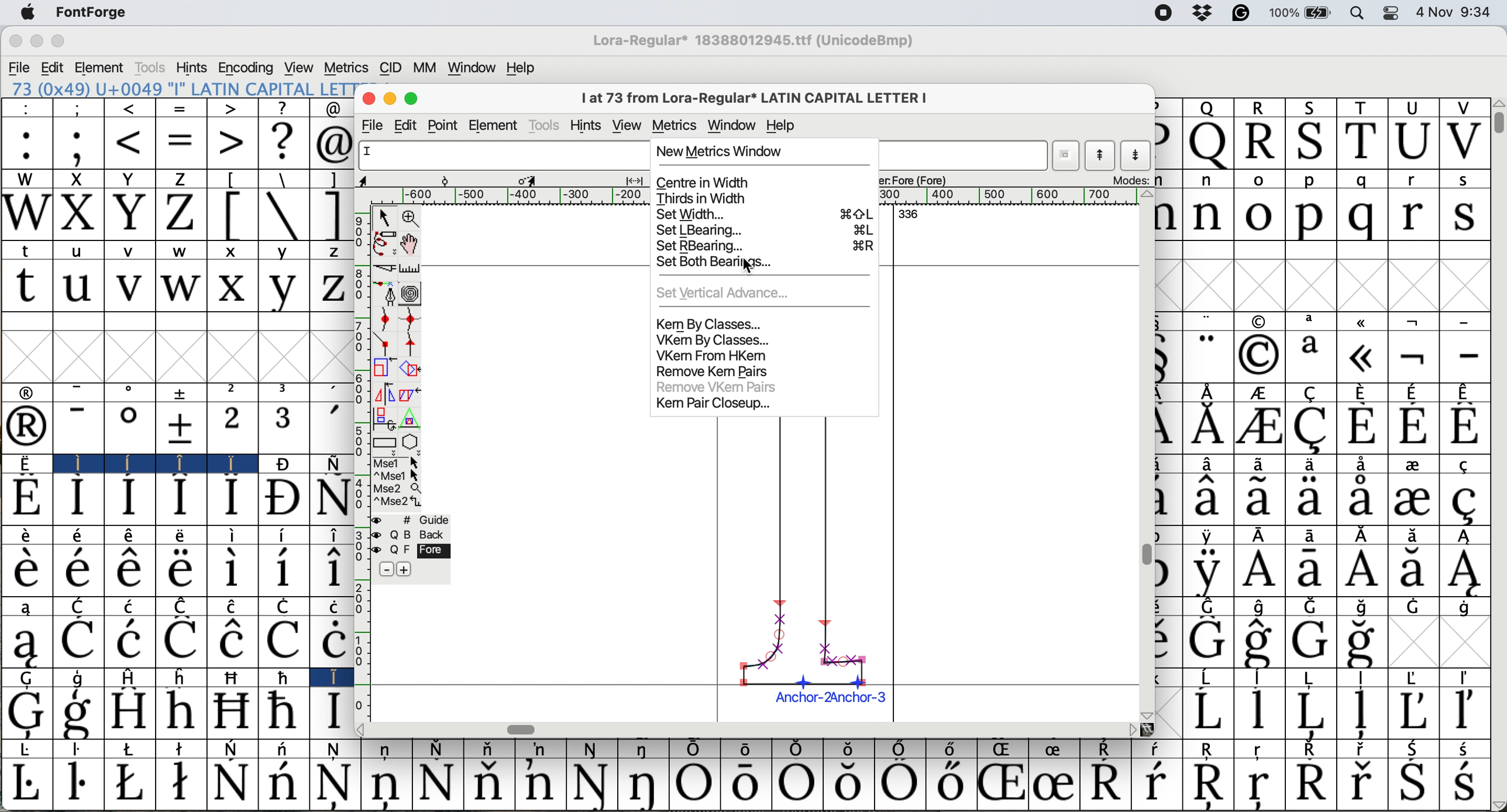  Describe the element at coordinates (29, 785) in the screenshot. I see `Symbol` at that location.